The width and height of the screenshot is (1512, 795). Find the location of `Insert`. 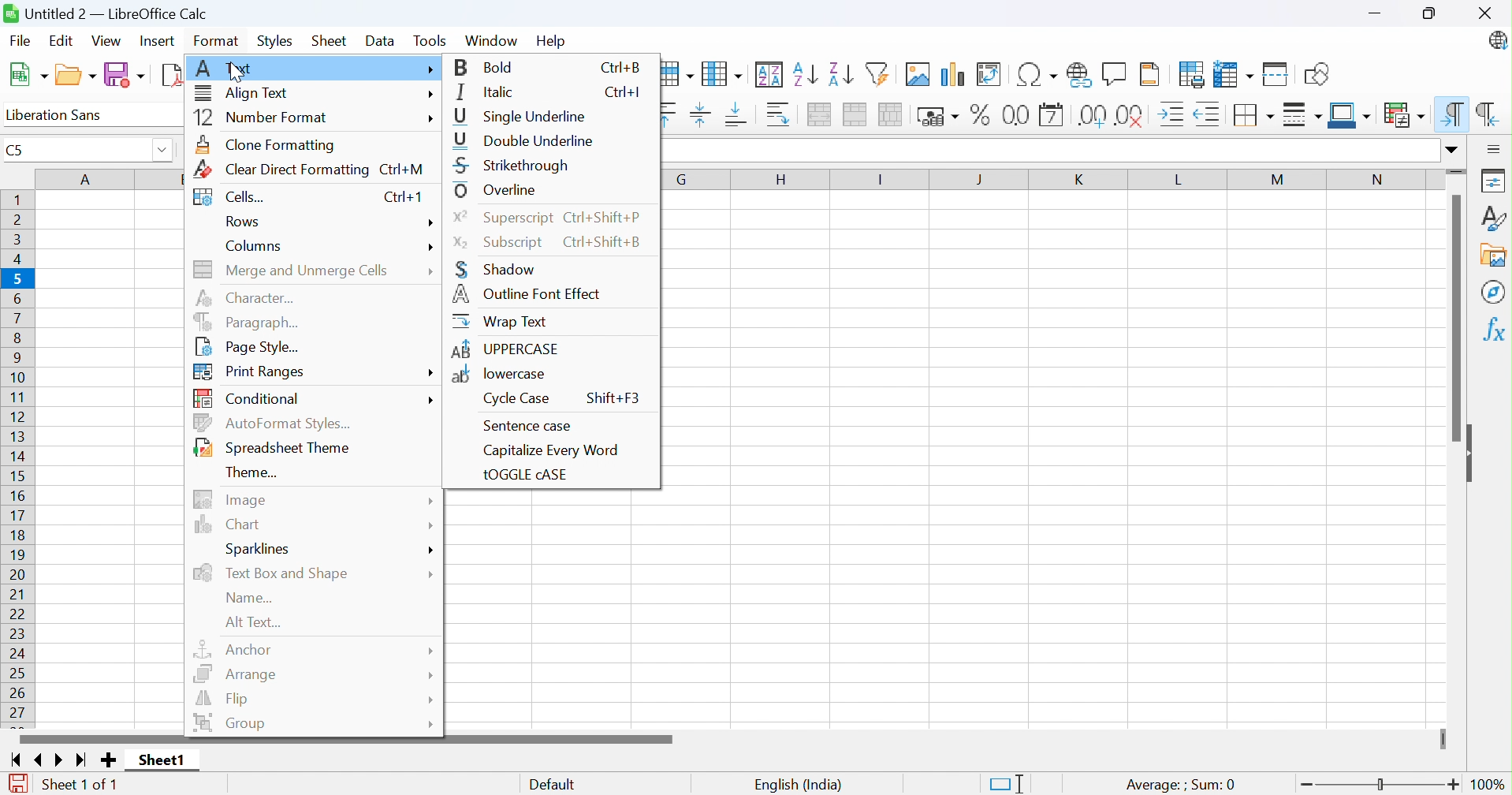

Insert is located at coordinates (156, 41).